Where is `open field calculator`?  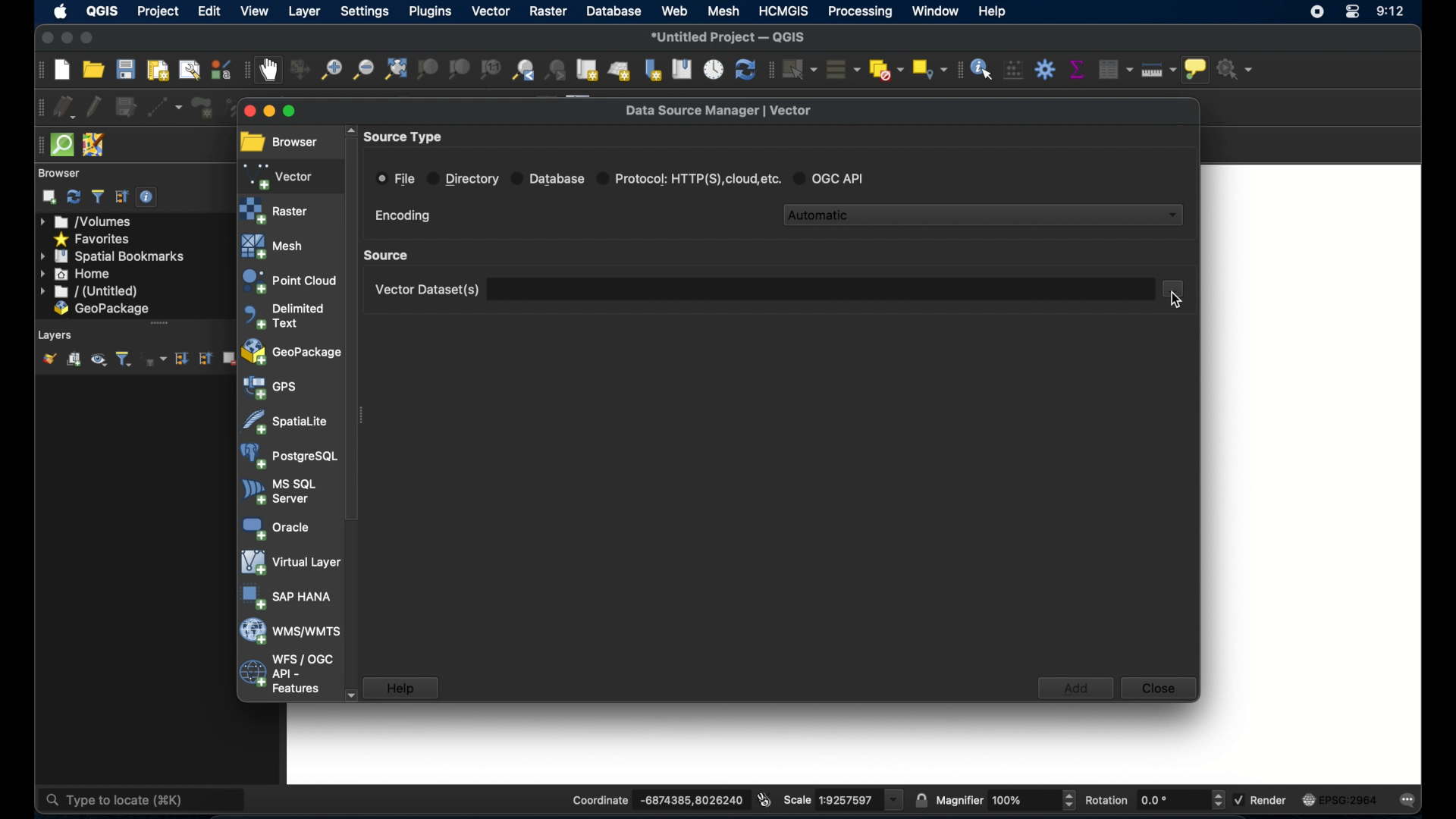 open field calculator is located at coordinates (1013, 70).